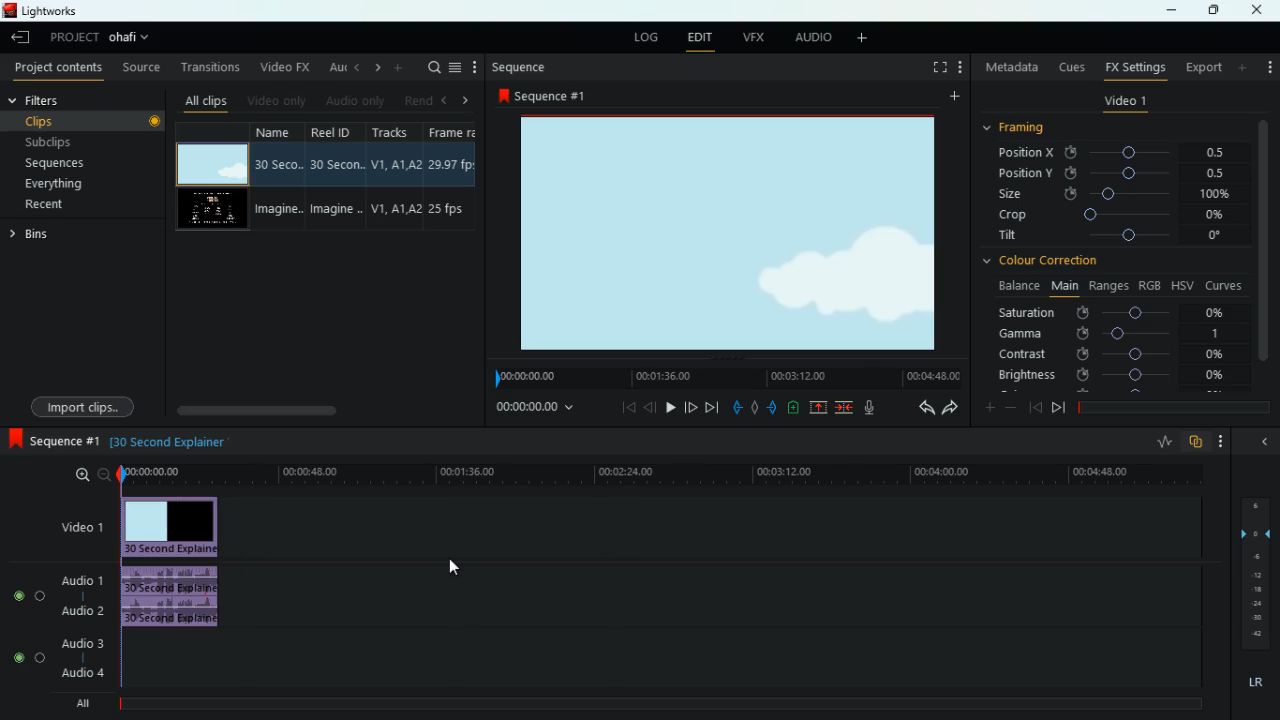  Describe the element at coordinates (1175, 10) in the screenshot. I see `minimize` at that location.